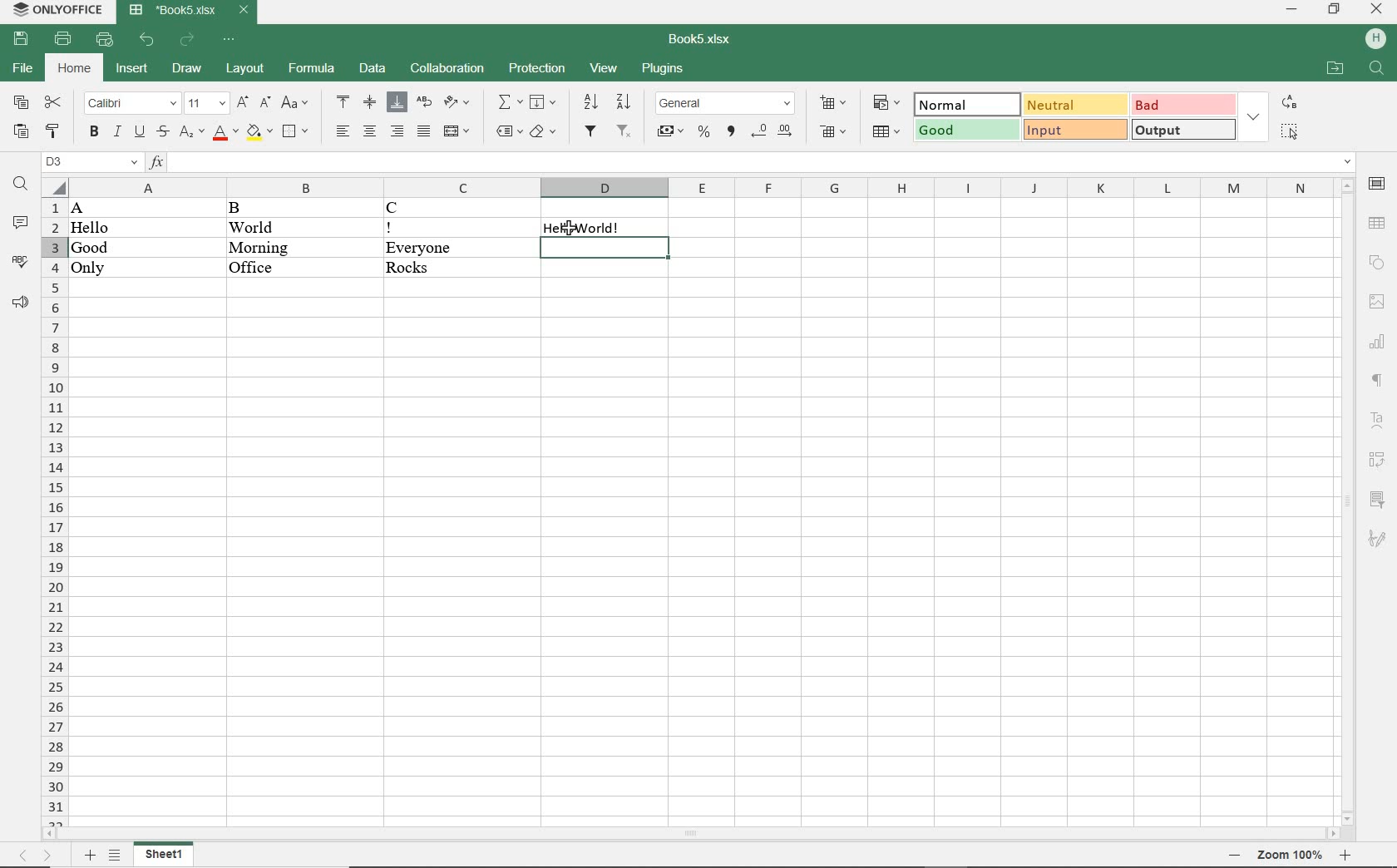 Image resolution: width=1397 pixels, height=868 pixels. Describe the element at coordinates (107, 40) in the screenshot. I see `QUICK PRINT` at that location.